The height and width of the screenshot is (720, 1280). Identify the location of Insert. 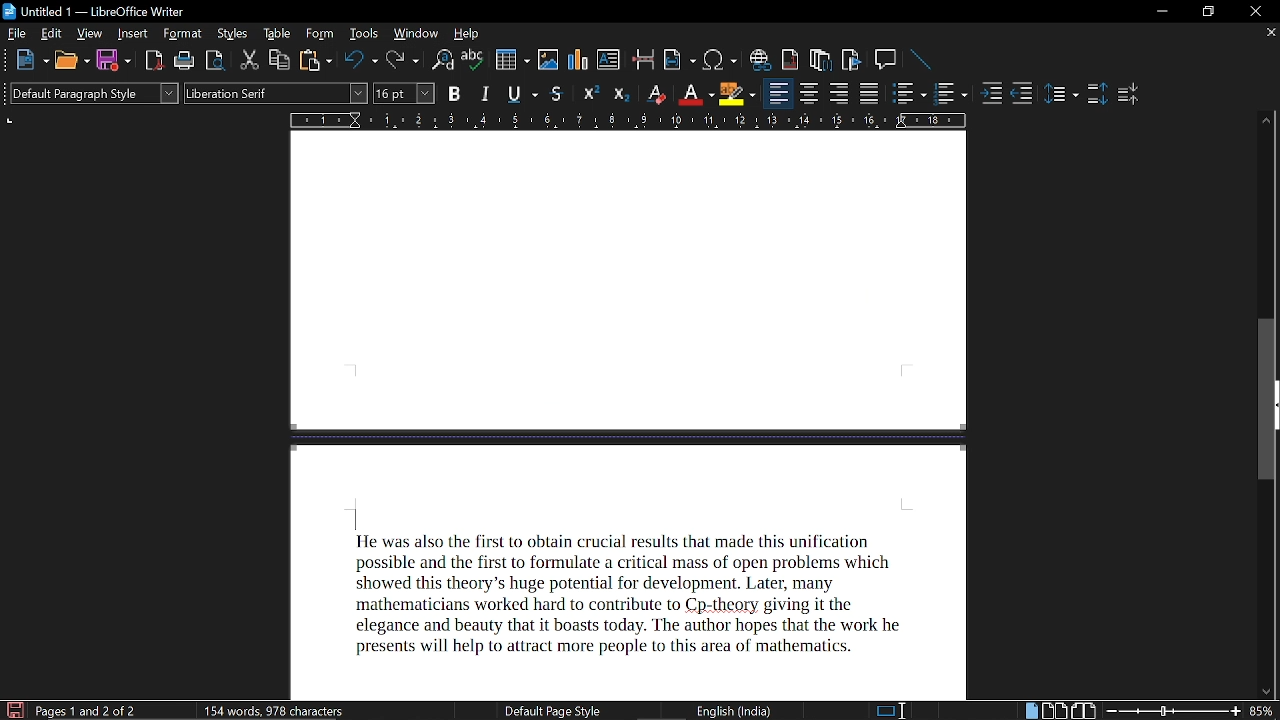
(133, 34).